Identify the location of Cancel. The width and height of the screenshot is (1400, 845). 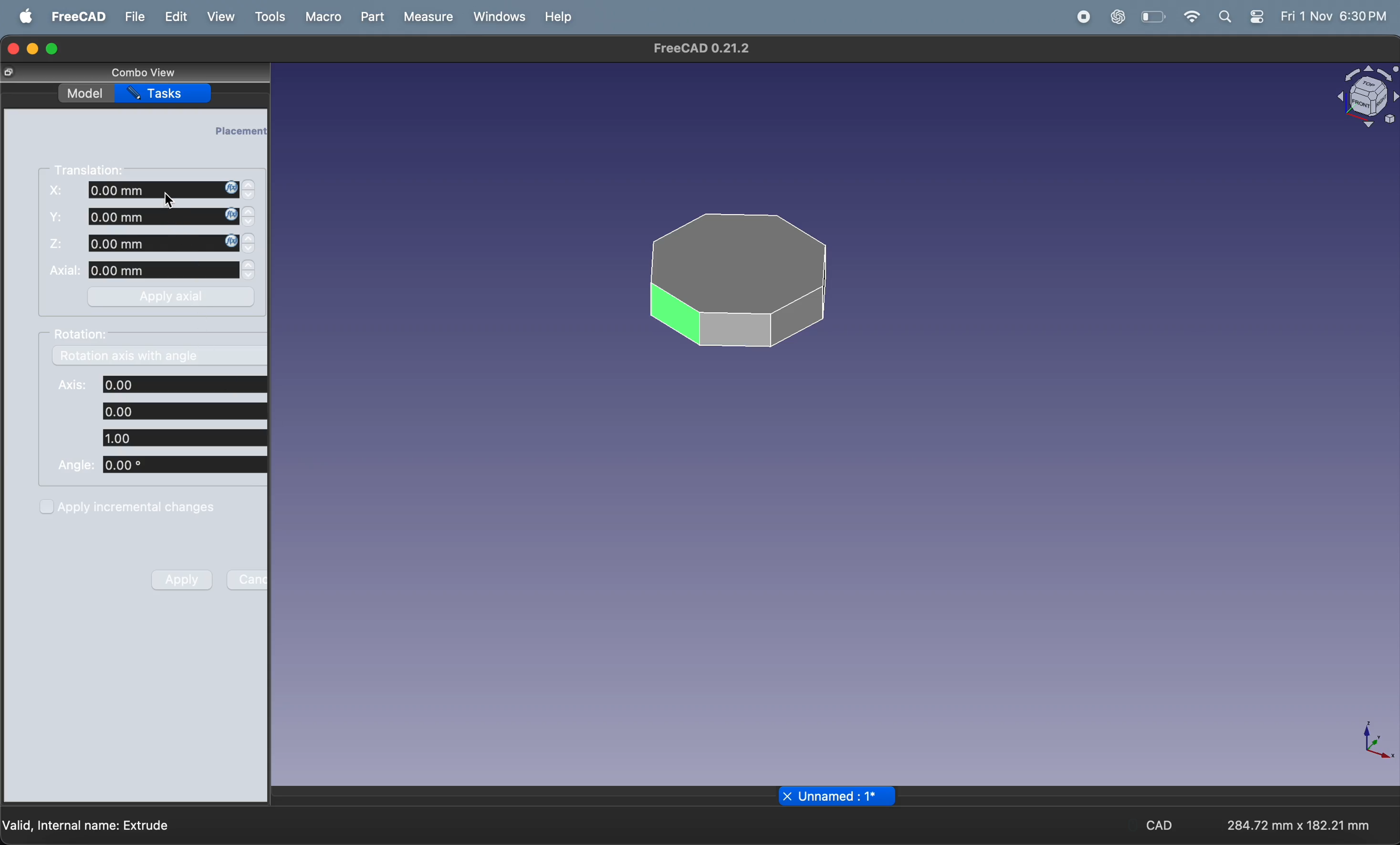
(248, 579).